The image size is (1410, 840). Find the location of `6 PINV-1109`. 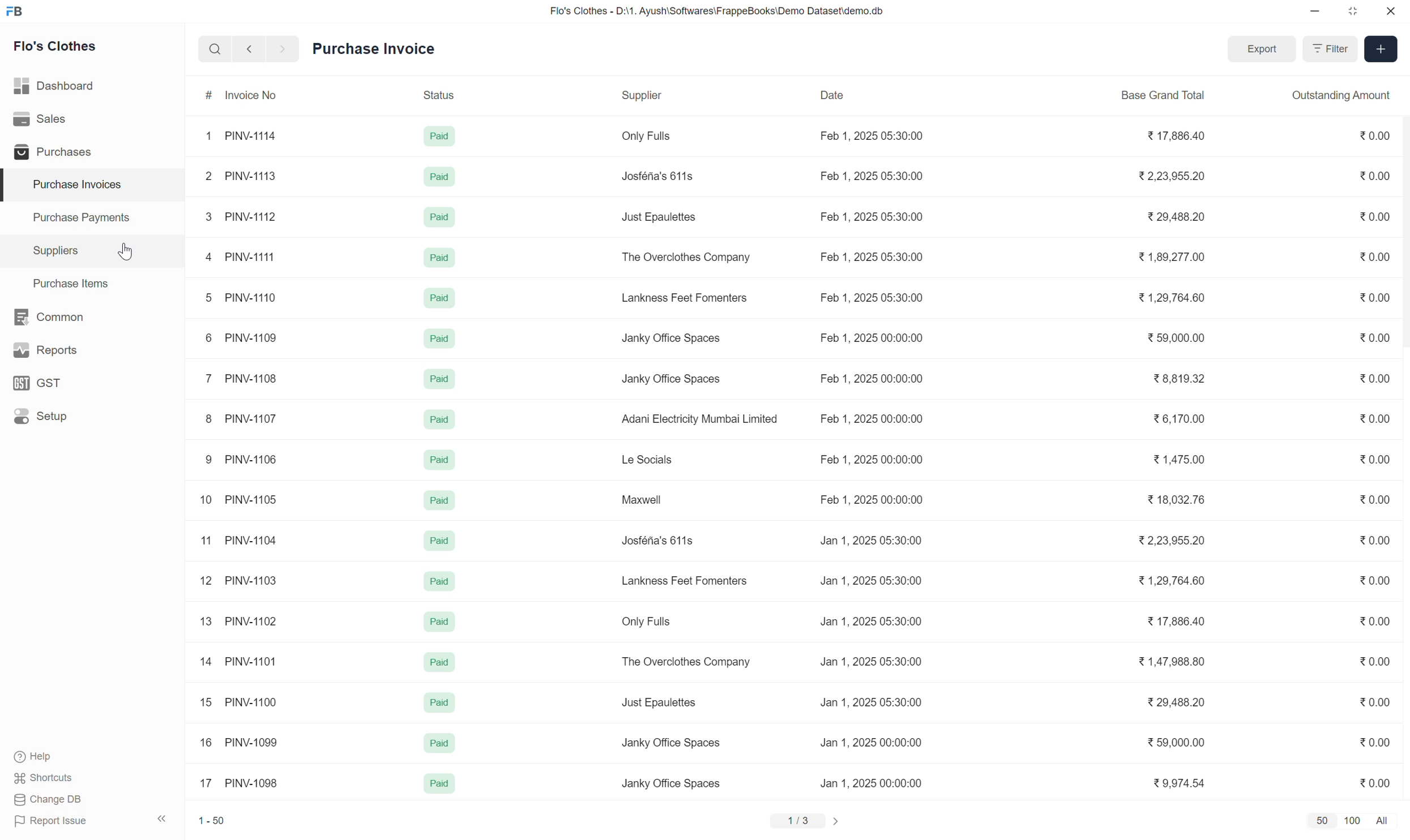

6 PINV-1109 is located at coordinates (242, 337).